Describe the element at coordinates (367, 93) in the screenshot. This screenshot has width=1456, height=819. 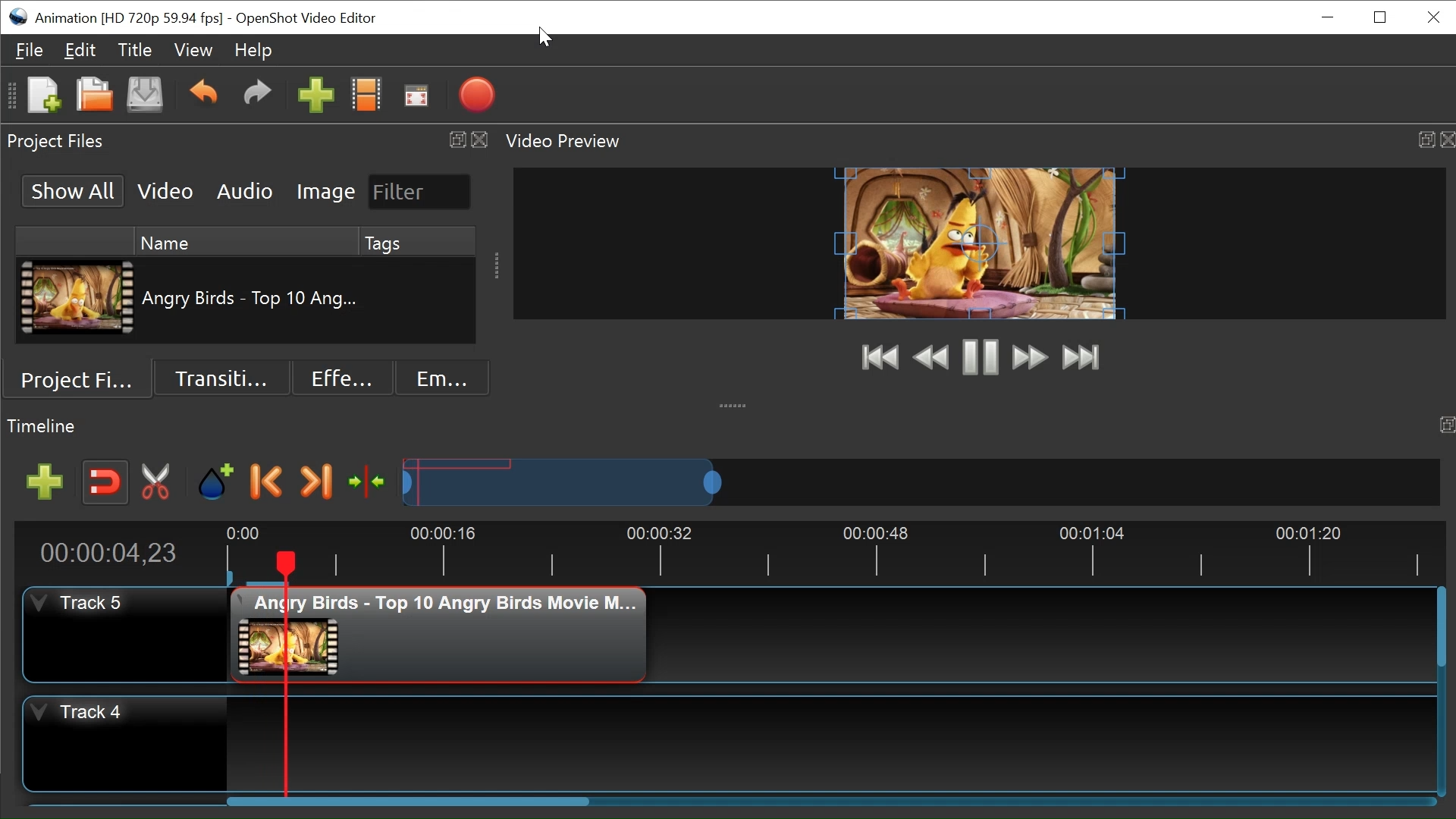
I see `Choose Files` at that location.